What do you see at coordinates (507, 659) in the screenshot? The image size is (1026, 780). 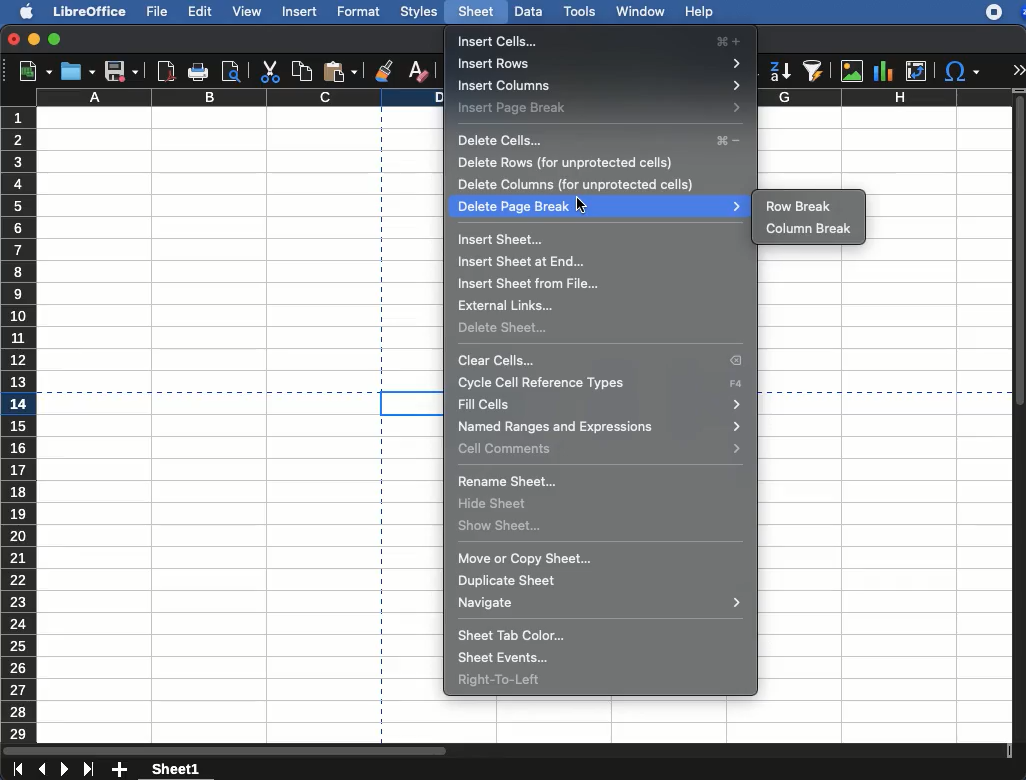 I see `sheet events` at bounding box center [507, 659].